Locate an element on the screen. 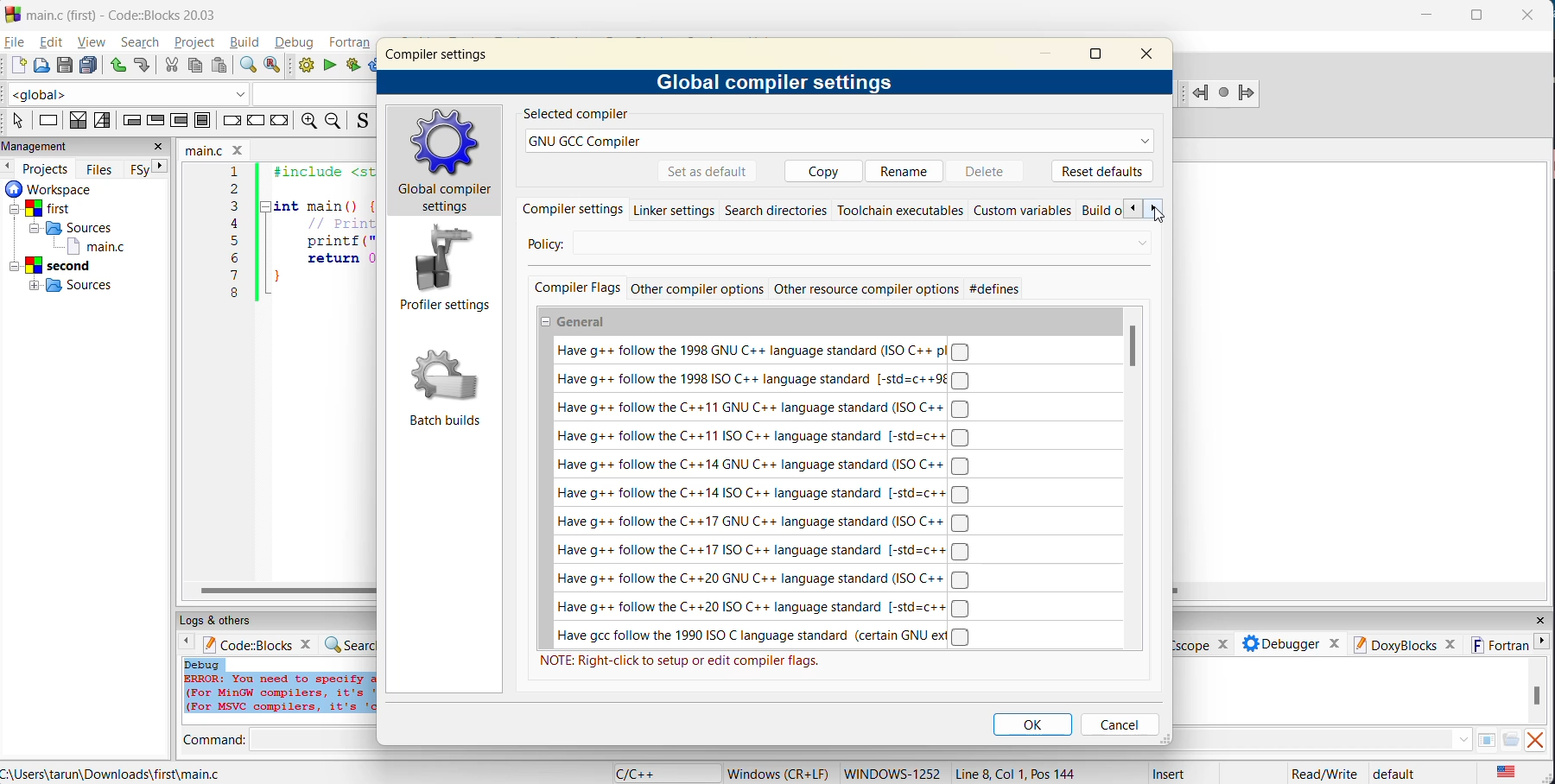  compiler settings is located at coordinates (568, 212).